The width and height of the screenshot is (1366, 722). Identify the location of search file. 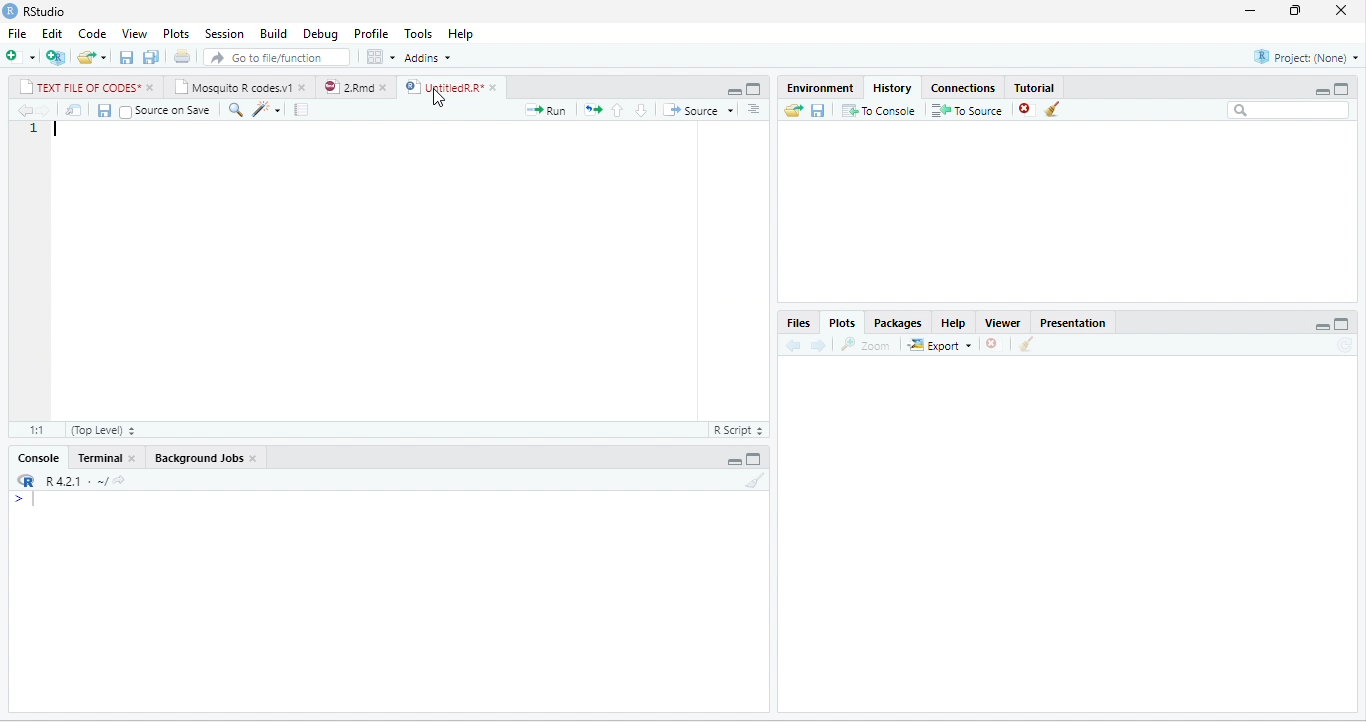
(276, 57).